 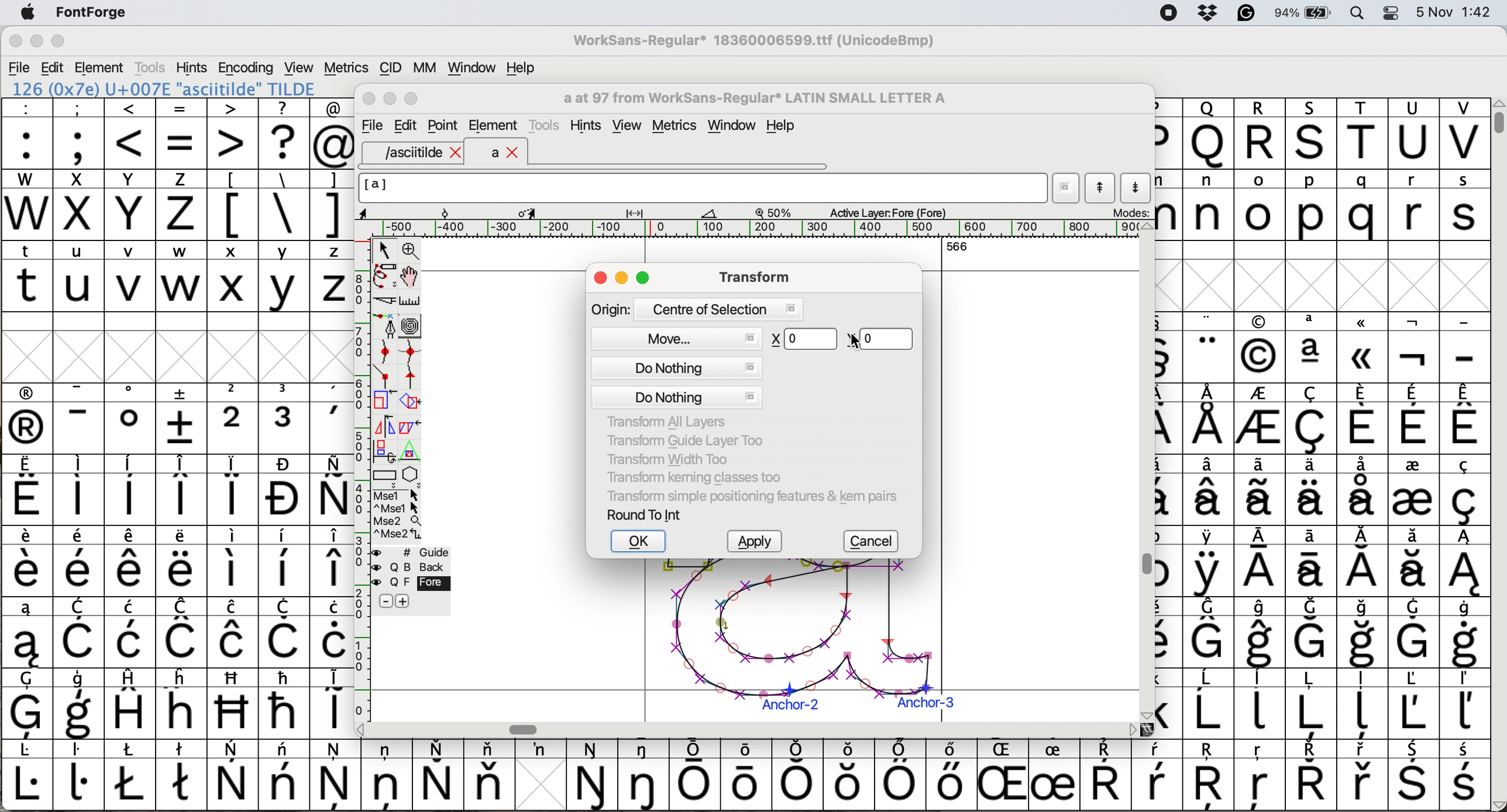 I want to click on glyph name, so click(x=753, y=98).